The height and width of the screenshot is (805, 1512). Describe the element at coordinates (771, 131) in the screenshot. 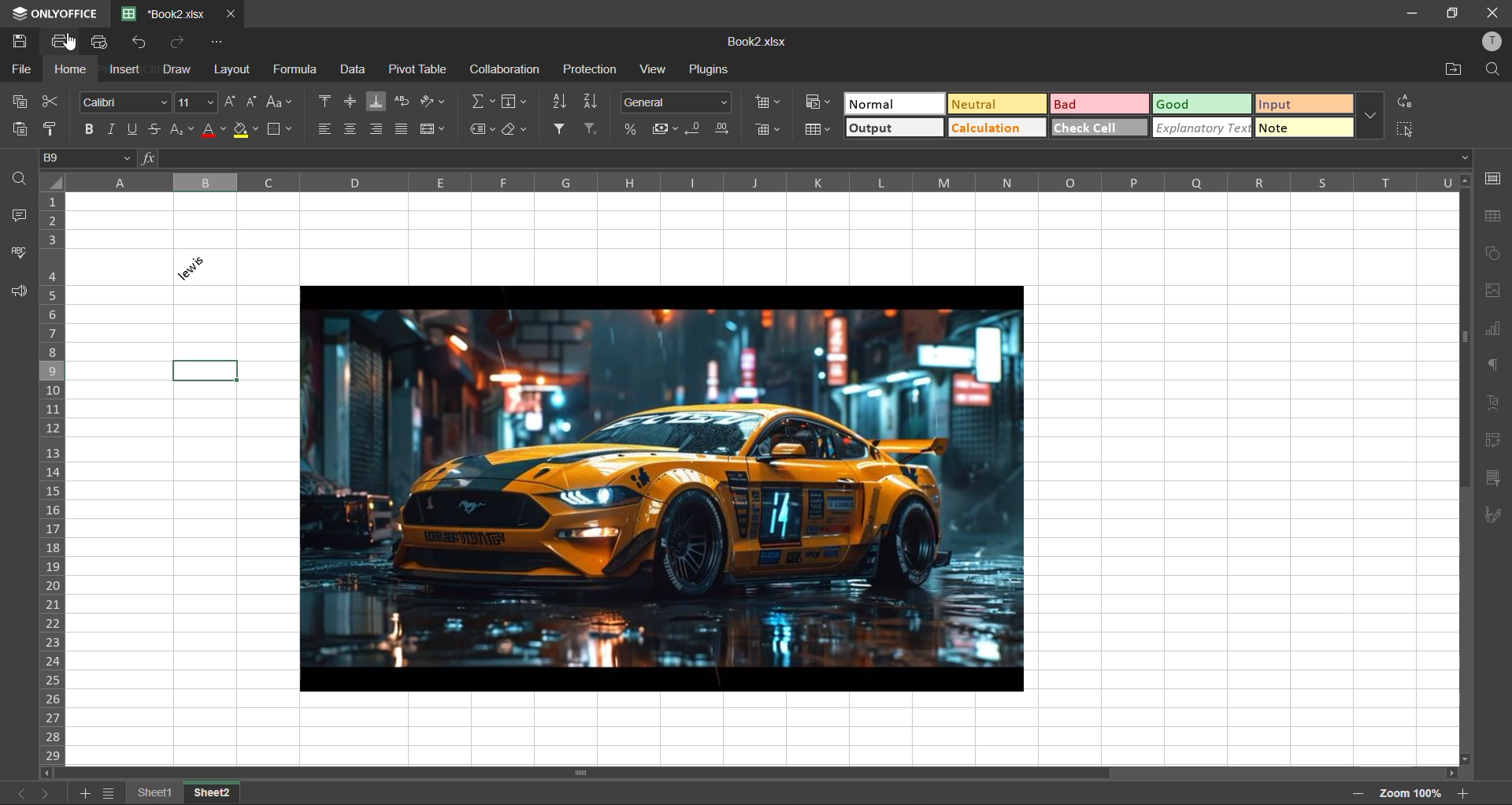

I see `remove cells` at that location.